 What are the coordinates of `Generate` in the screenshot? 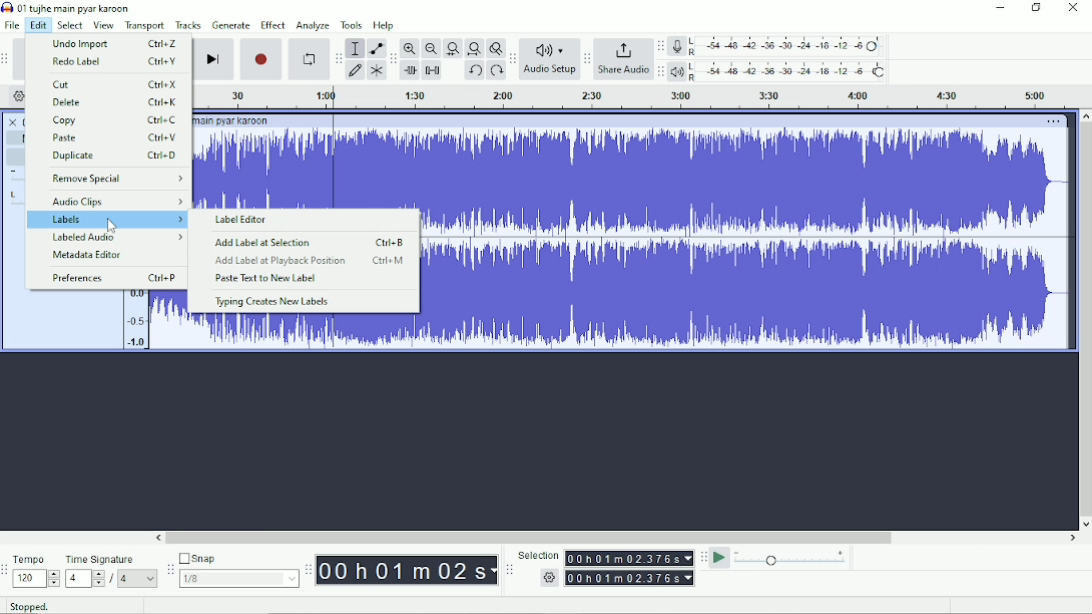 It's located at (231, 25).